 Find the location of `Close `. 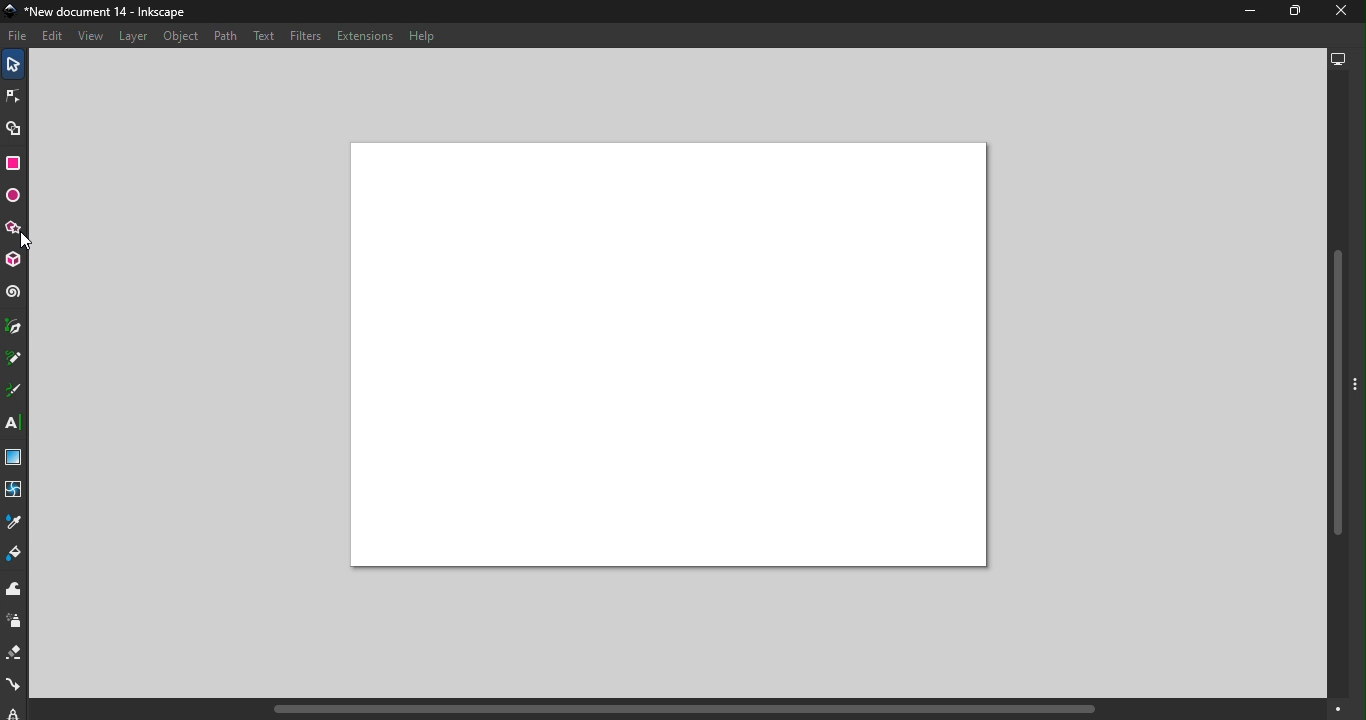

Close  is located at coordinates (1344, 10).